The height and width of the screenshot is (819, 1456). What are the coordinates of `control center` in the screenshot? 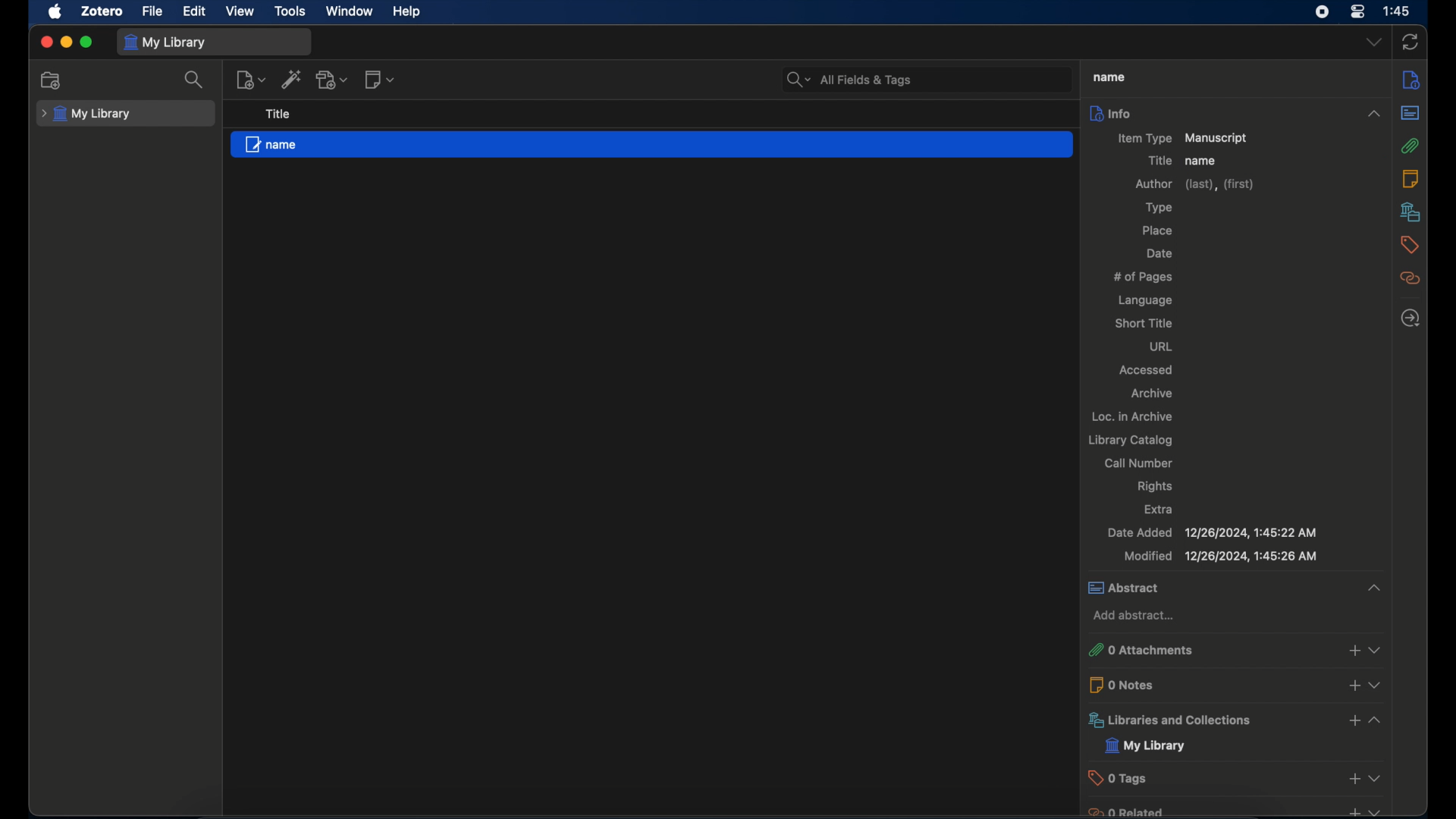 It's located at (1357, 11).